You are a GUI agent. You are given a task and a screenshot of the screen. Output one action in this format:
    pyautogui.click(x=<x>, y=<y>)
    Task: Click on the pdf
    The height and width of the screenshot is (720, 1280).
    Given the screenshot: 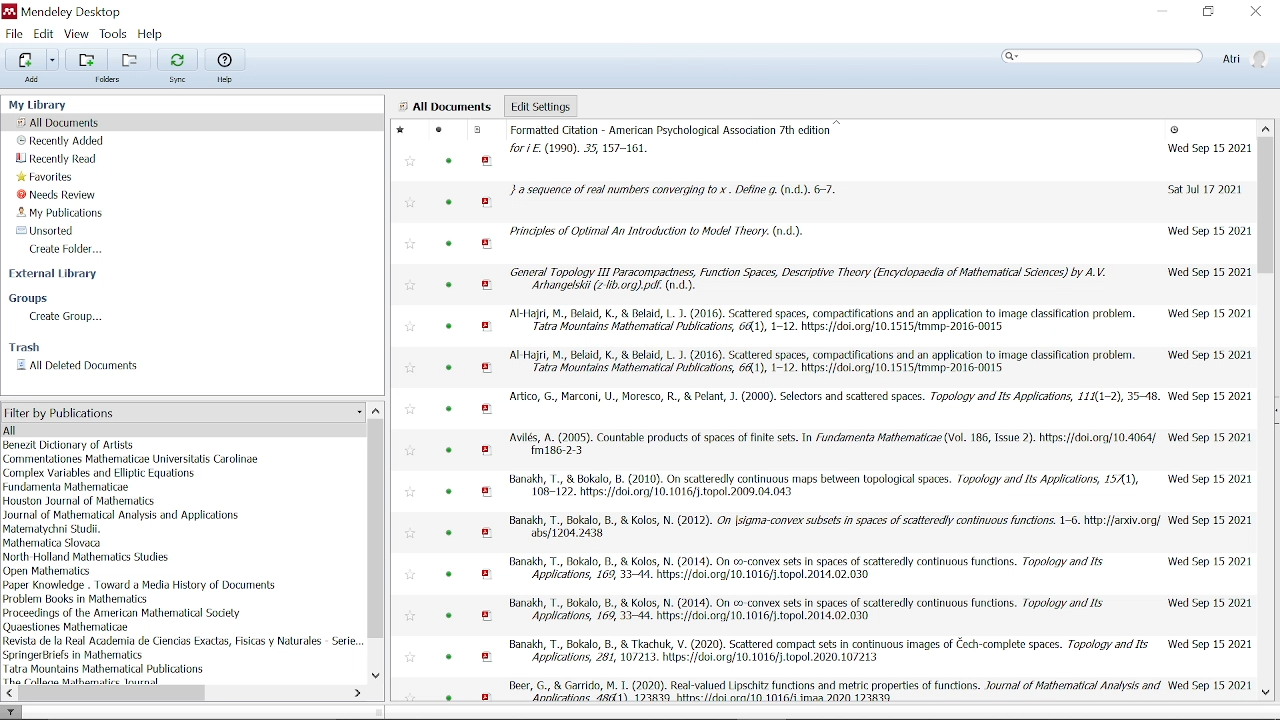 What is the action you would take?
    pyautogui.click(x=488, y=533)
    